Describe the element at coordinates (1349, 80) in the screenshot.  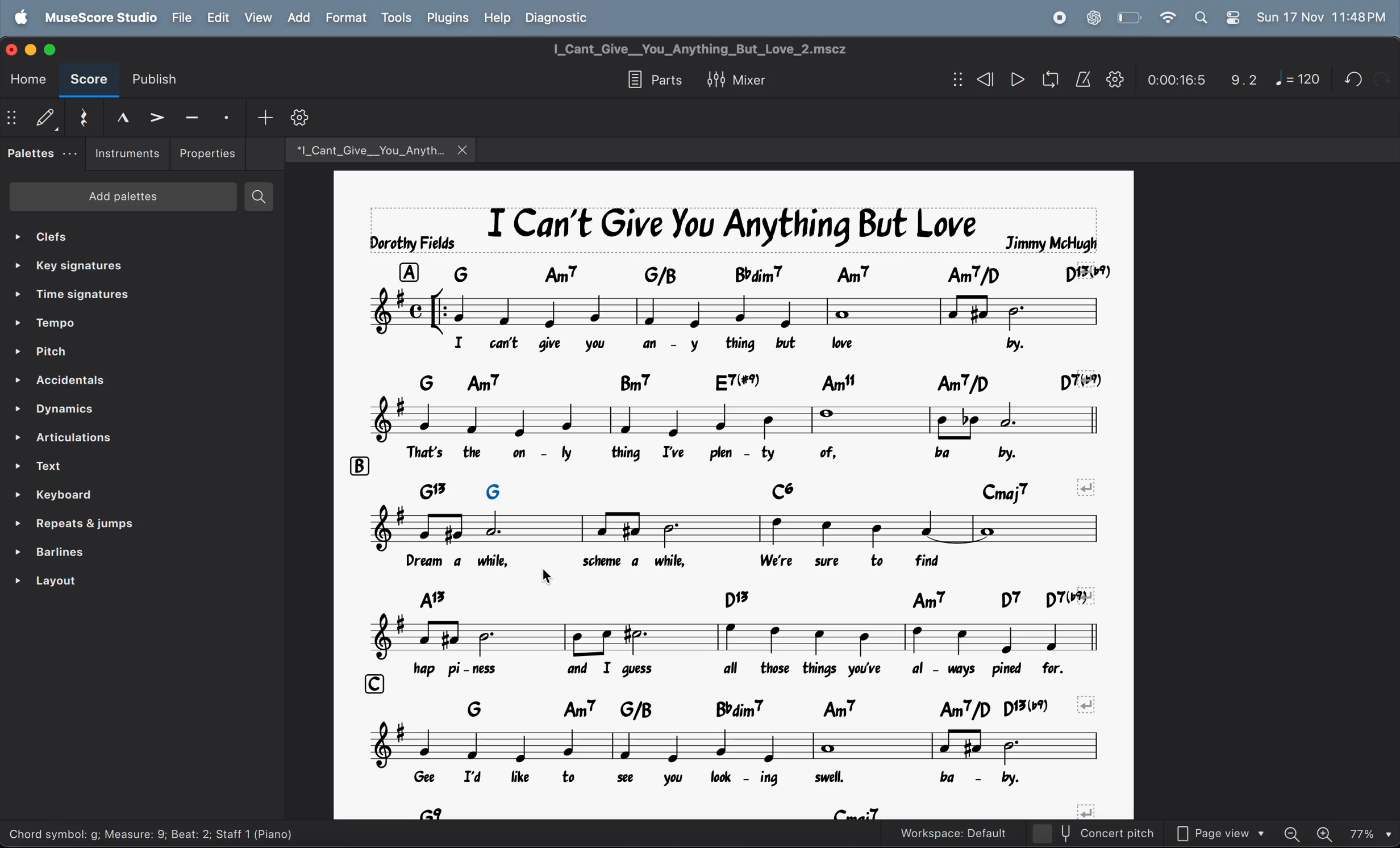
I see `undo` at that location.